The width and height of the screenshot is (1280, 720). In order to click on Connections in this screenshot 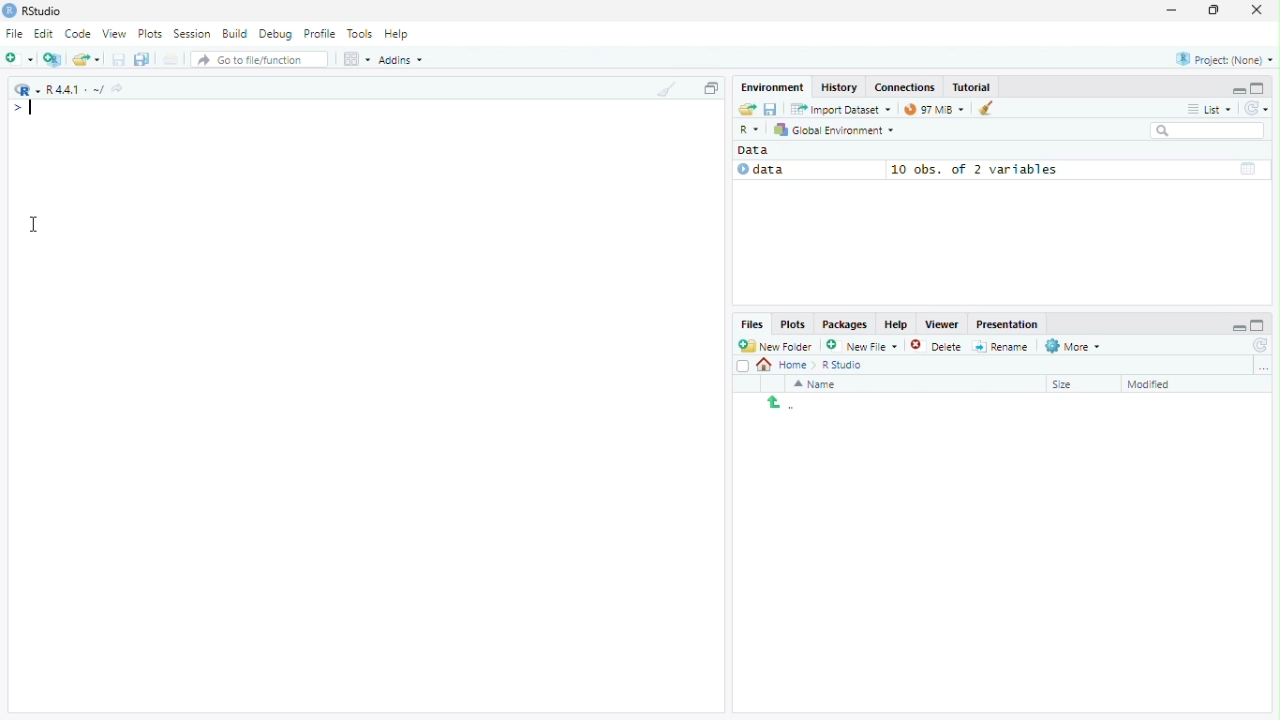, I will do `click(904, 87)`.